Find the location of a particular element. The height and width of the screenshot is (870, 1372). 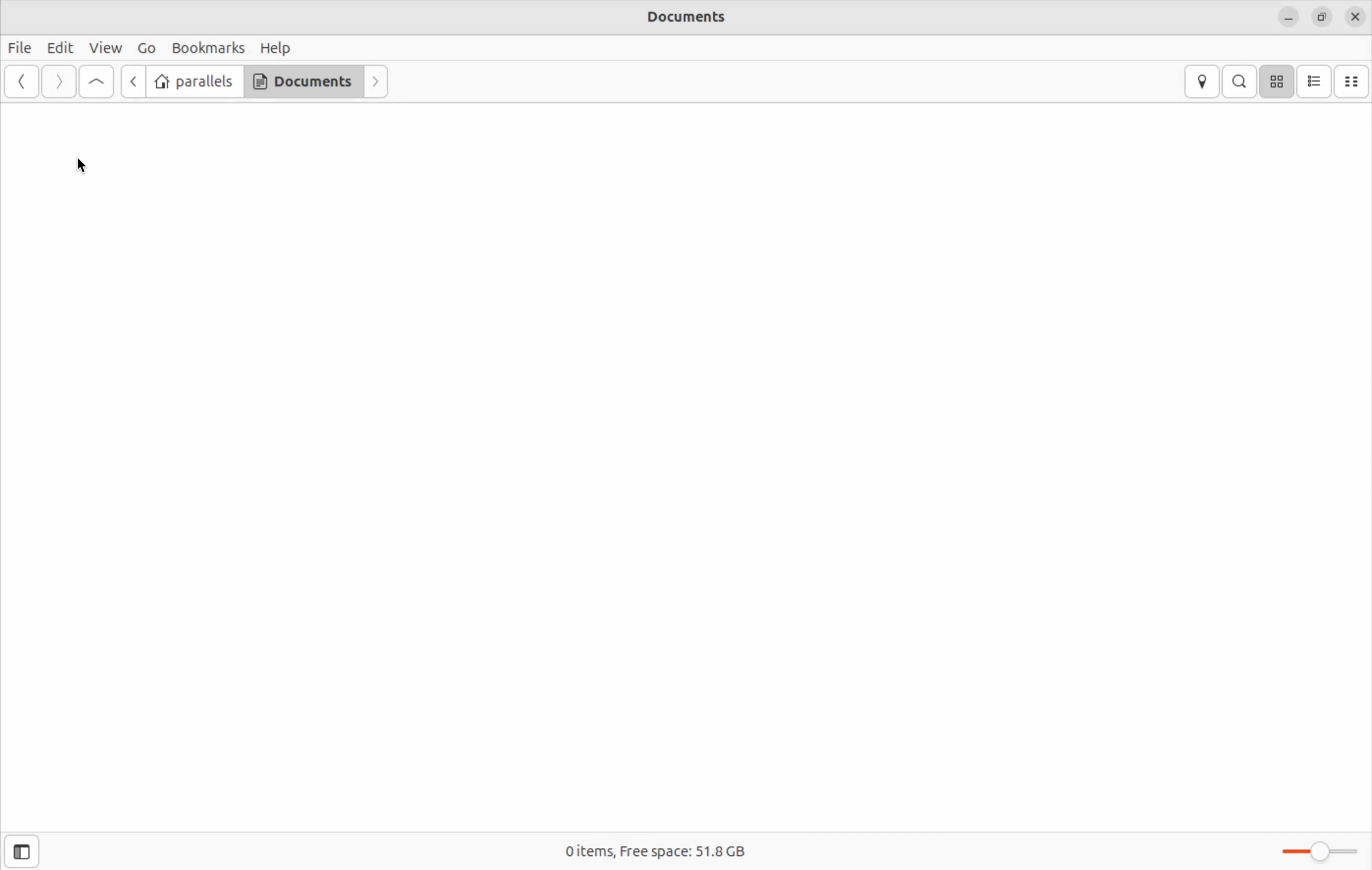

minimize is located at coordinates (1288, 18).